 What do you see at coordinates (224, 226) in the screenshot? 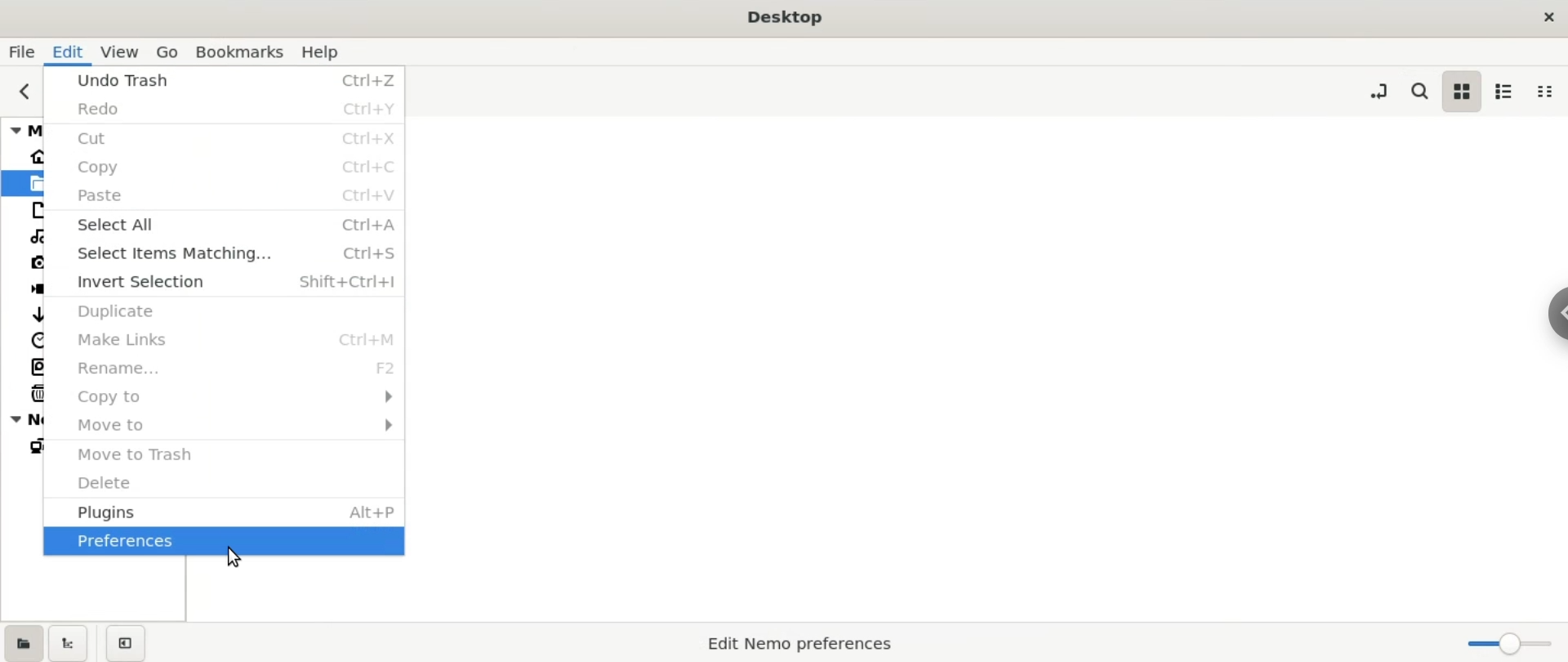
I see `select all` at bounding box center [224, 226].